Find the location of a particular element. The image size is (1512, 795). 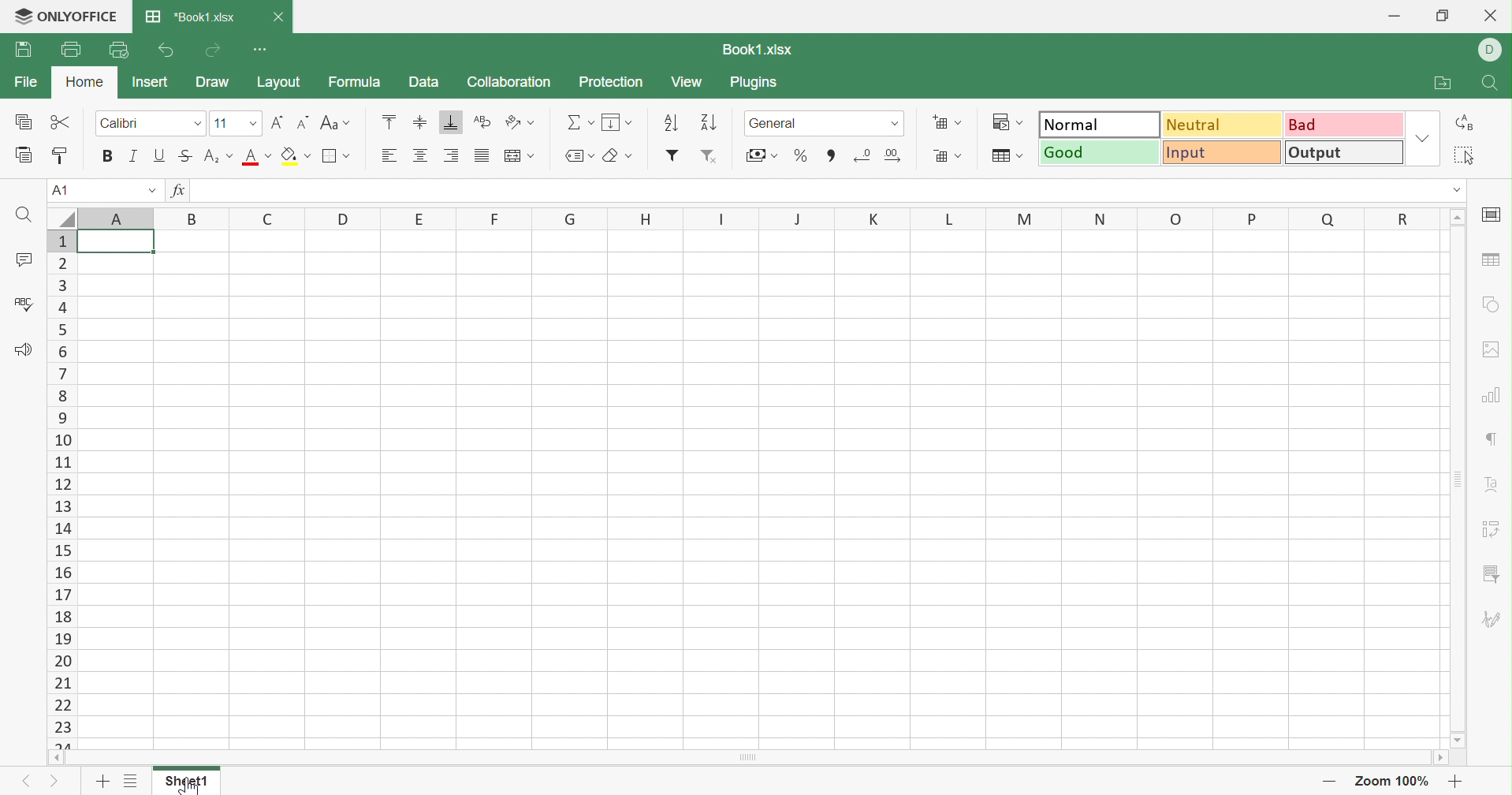

Delete cells is located at coordinates (946, 156).